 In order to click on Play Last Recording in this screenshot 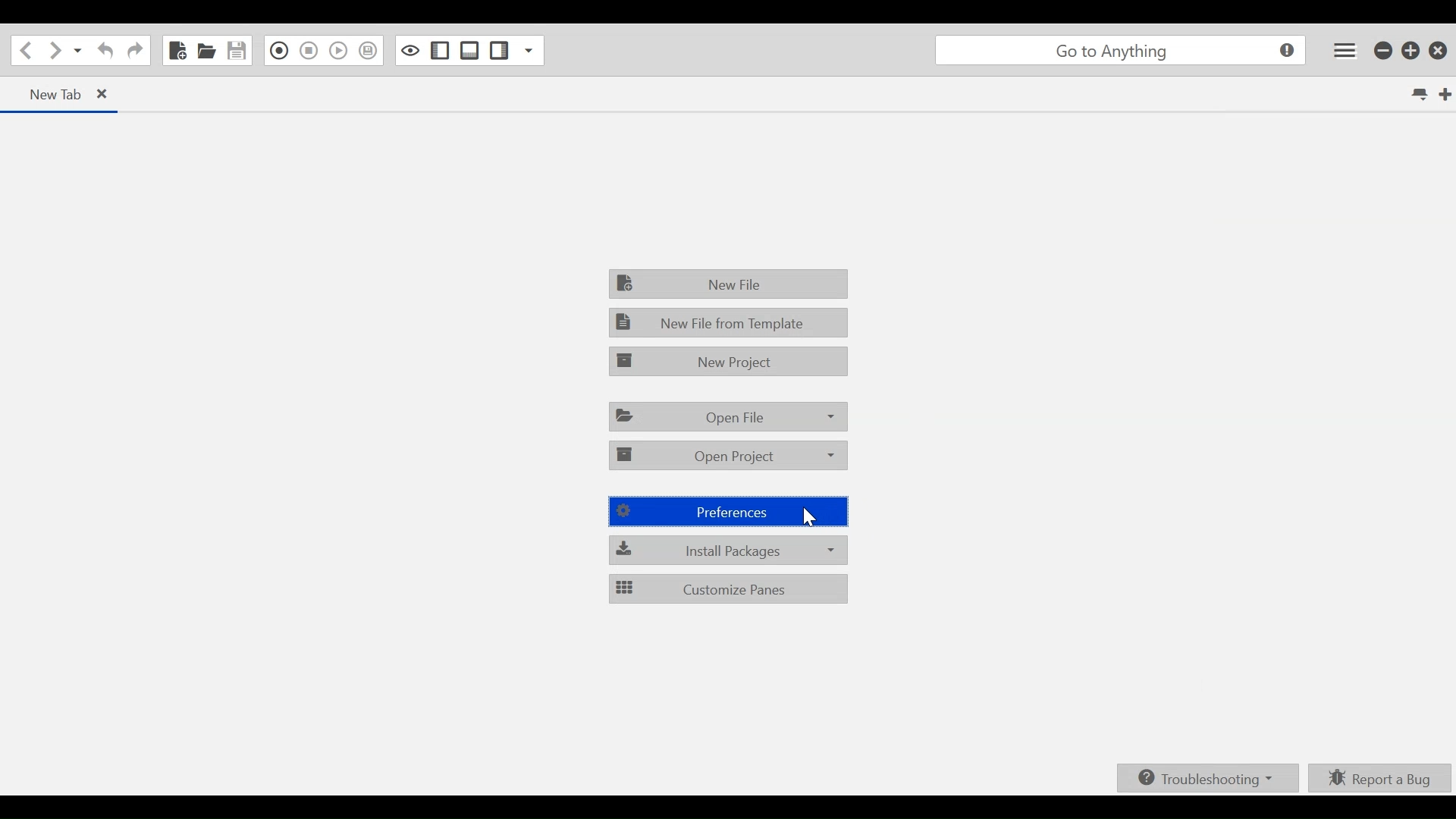, I will do `click(337, 52)`.